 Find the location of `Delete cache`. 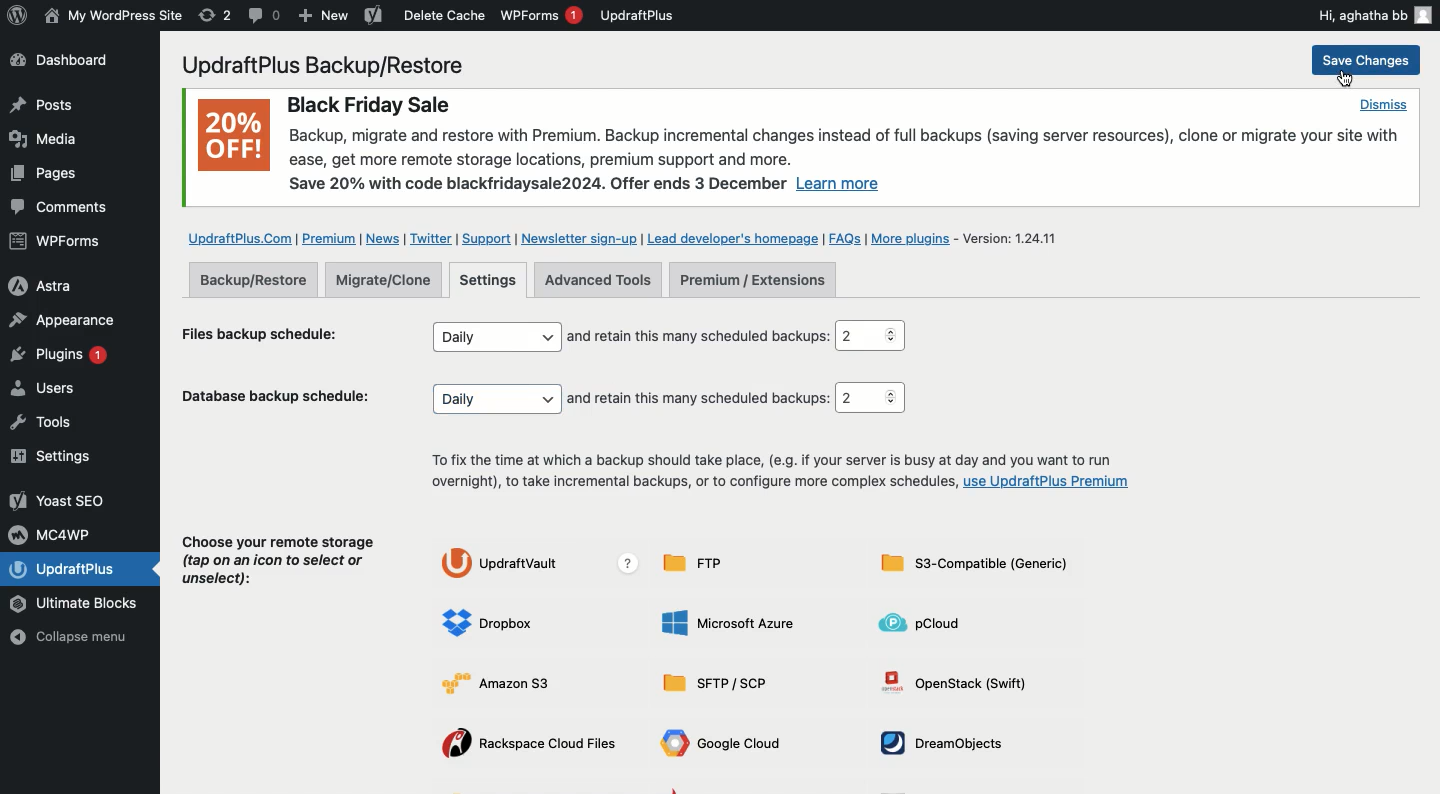

Delete cache is located at coordinates (445, 15).